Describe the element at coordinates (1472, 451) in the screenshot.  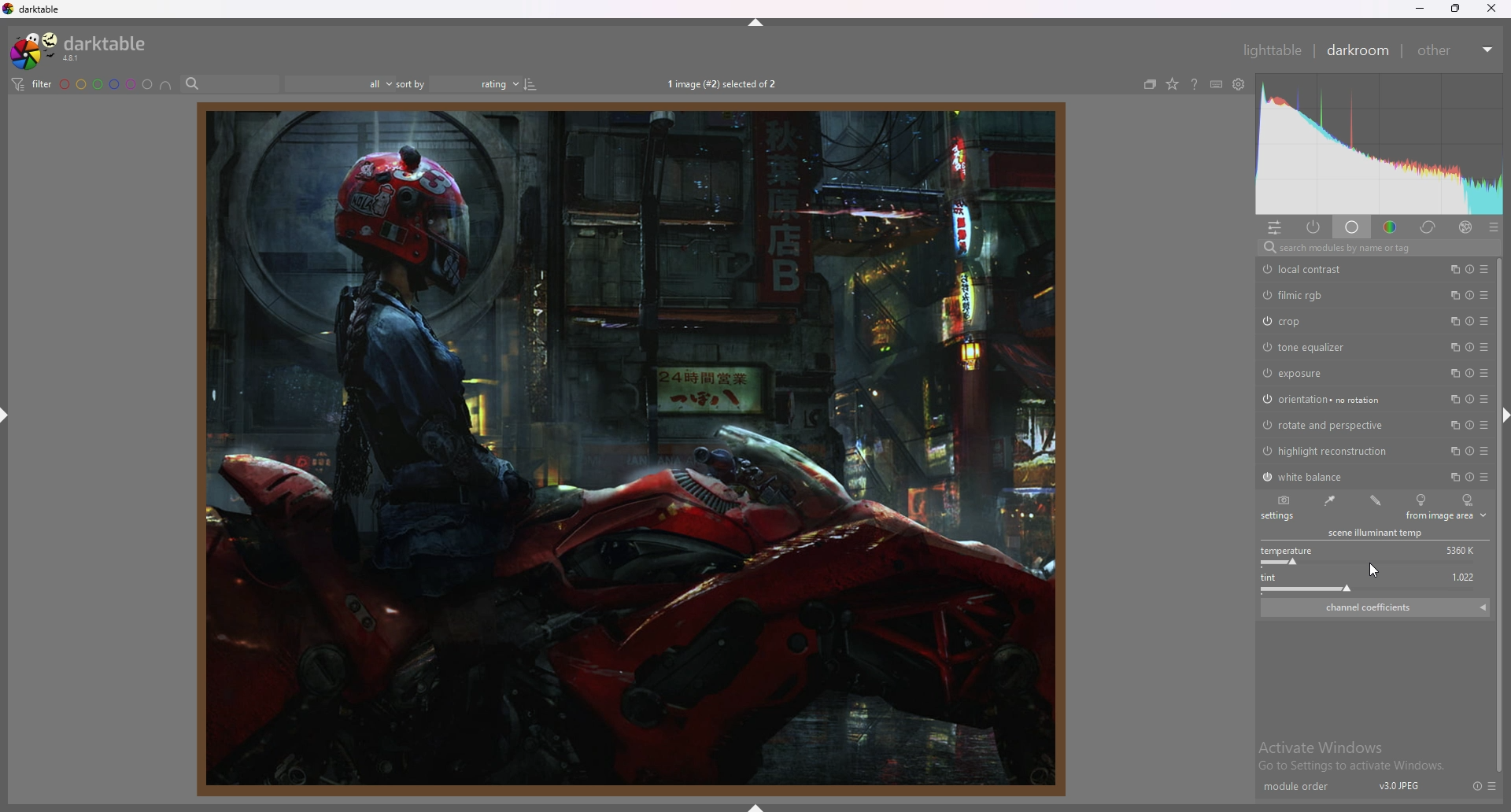
I see `reset` at that location.